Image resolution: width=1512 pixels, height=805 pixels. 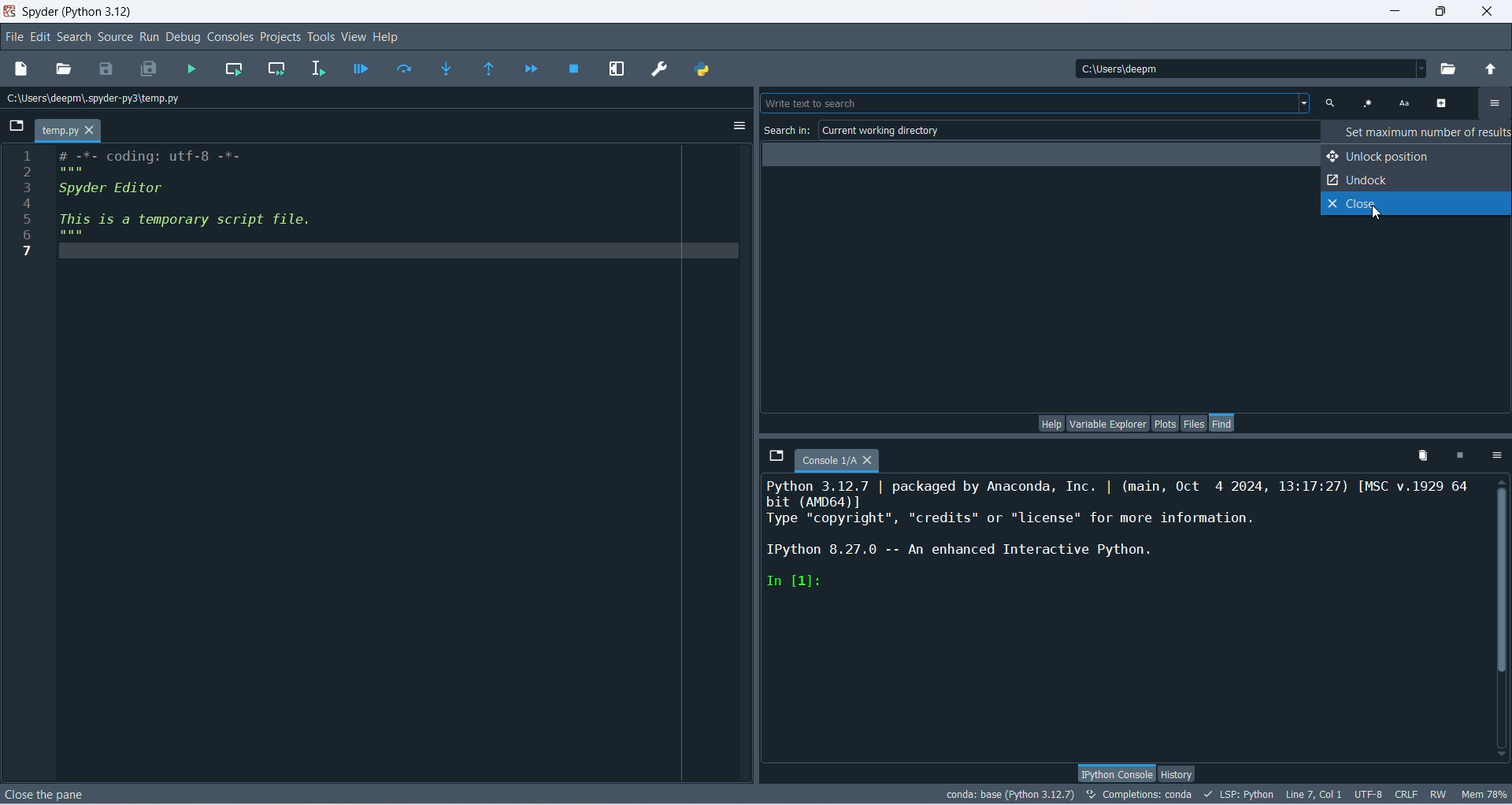 I want to click on run file, so click(x=194, y=69).